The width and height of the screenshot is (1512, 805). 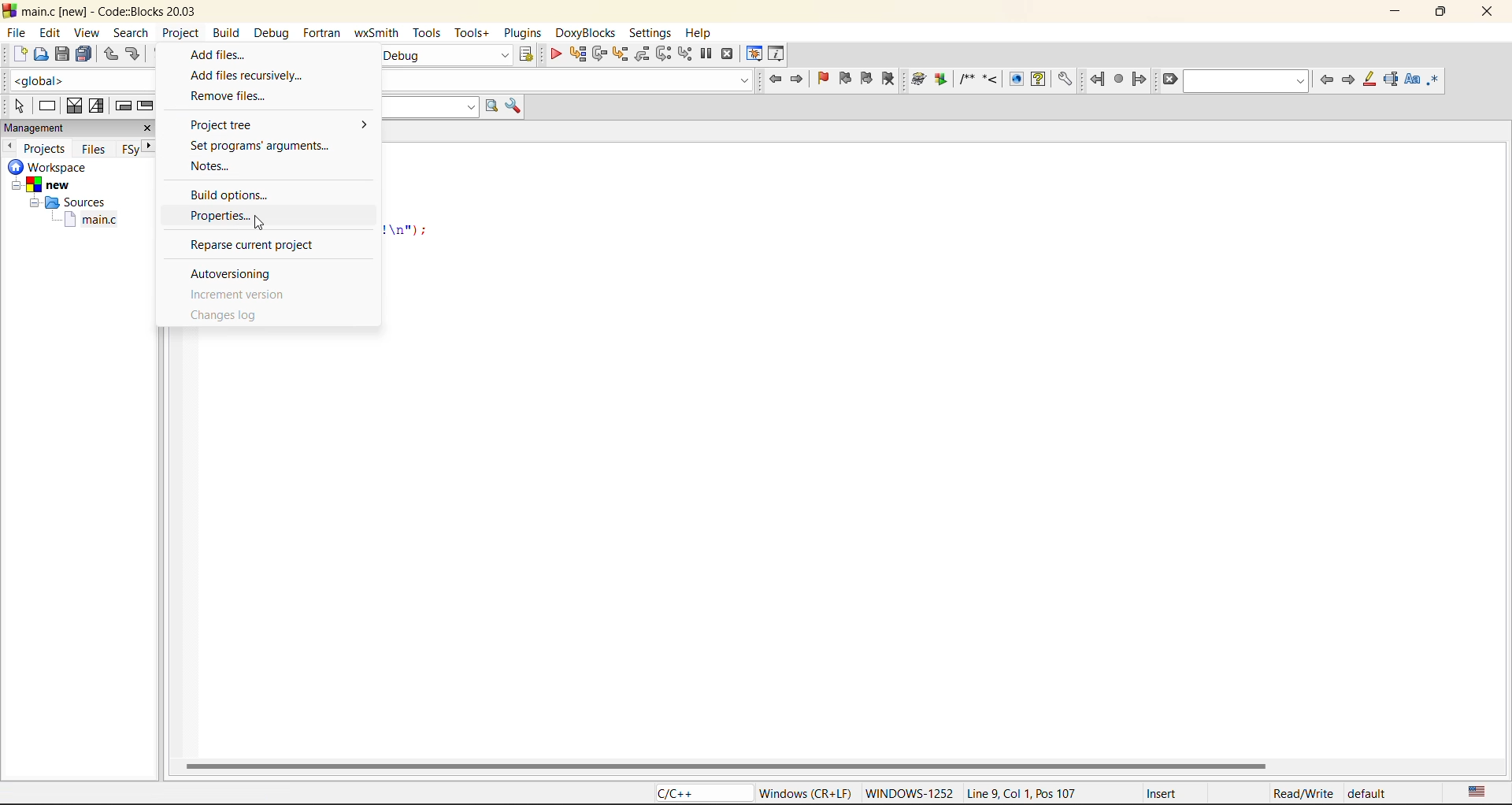 I want to click on debug, so click(x=554, y=54).